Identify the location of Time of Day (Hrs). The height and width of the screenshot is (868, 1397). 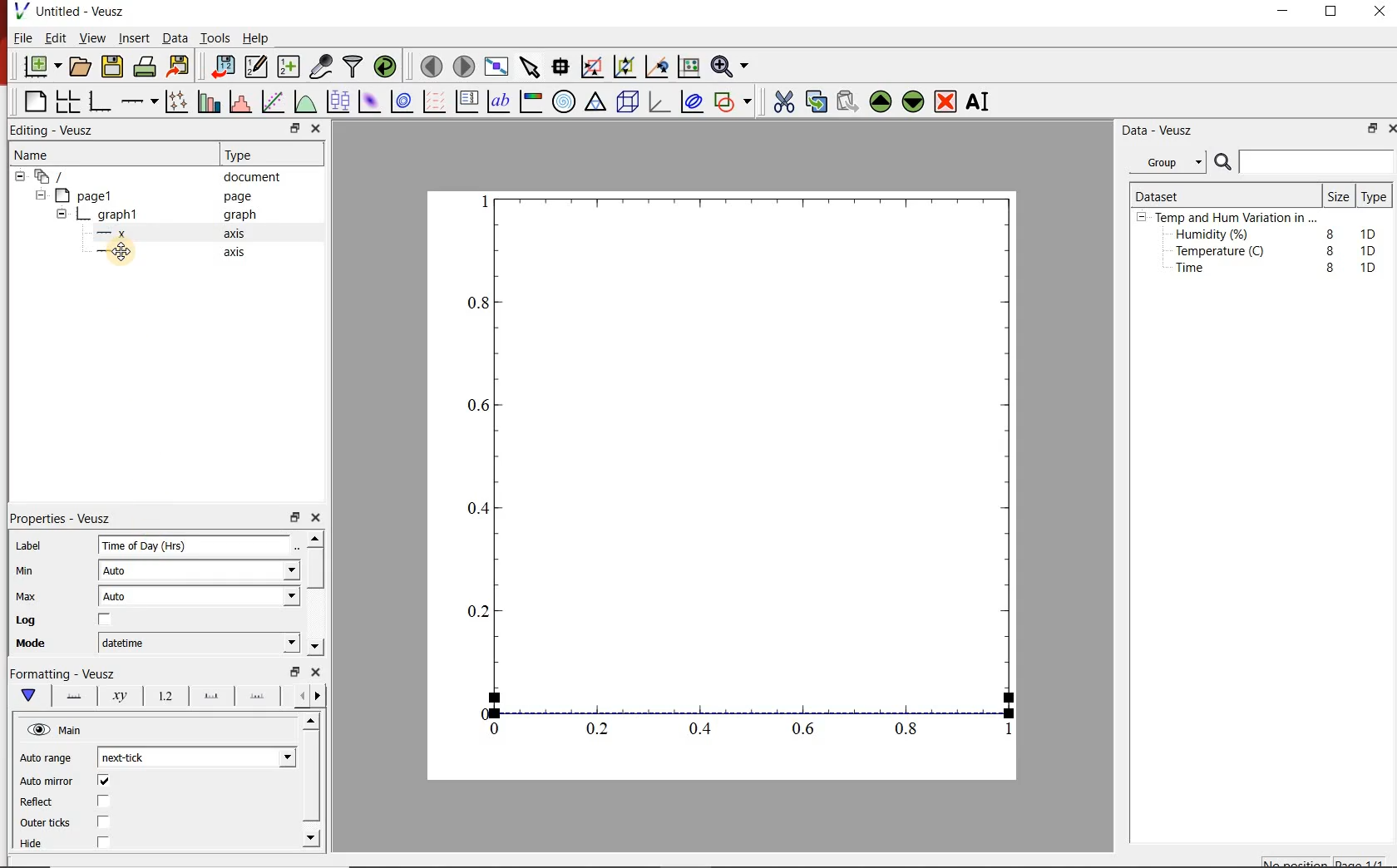
(180, 547).